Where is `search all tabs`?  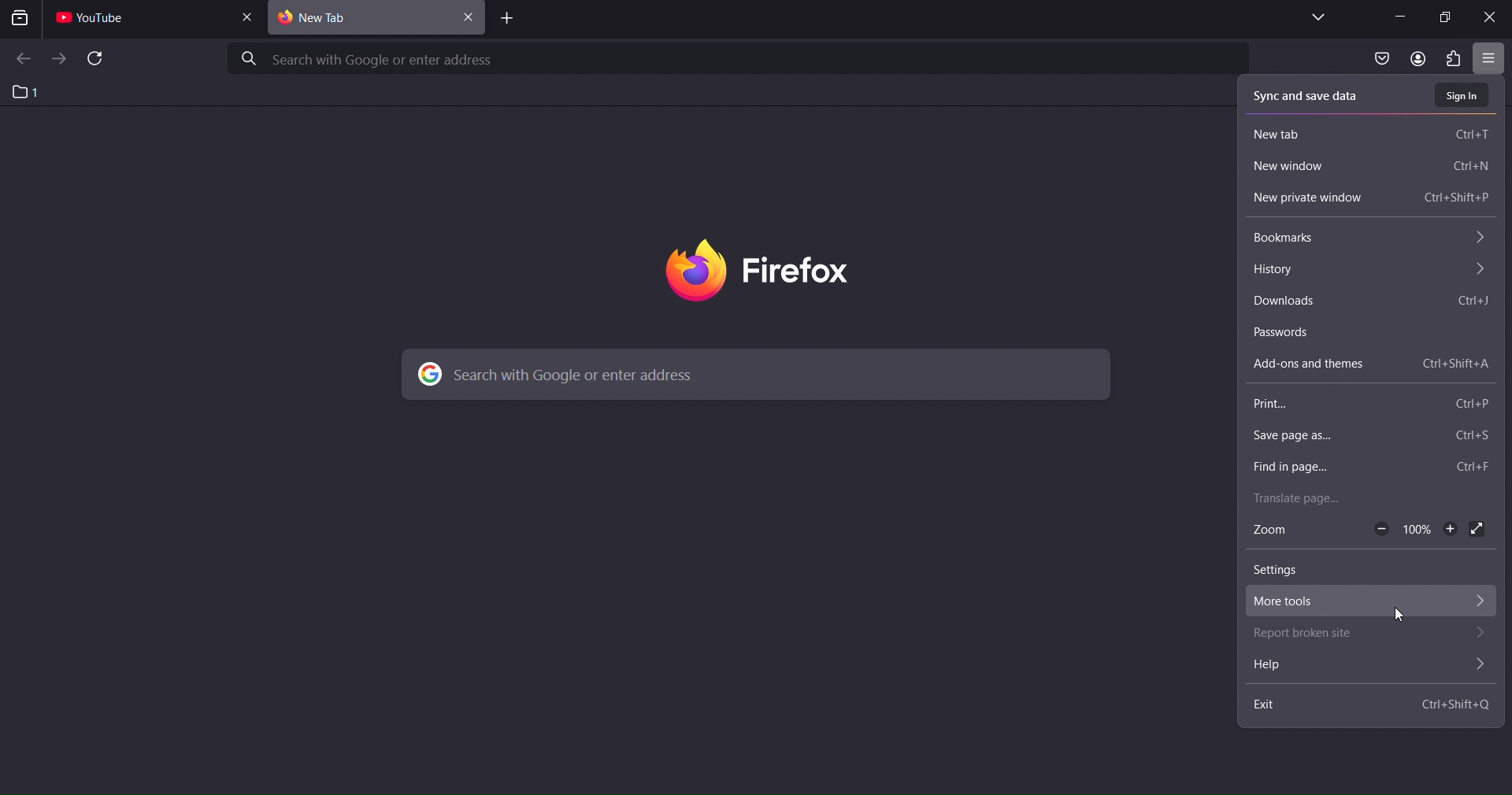 search all tabs is located at coordinates (23, 20).